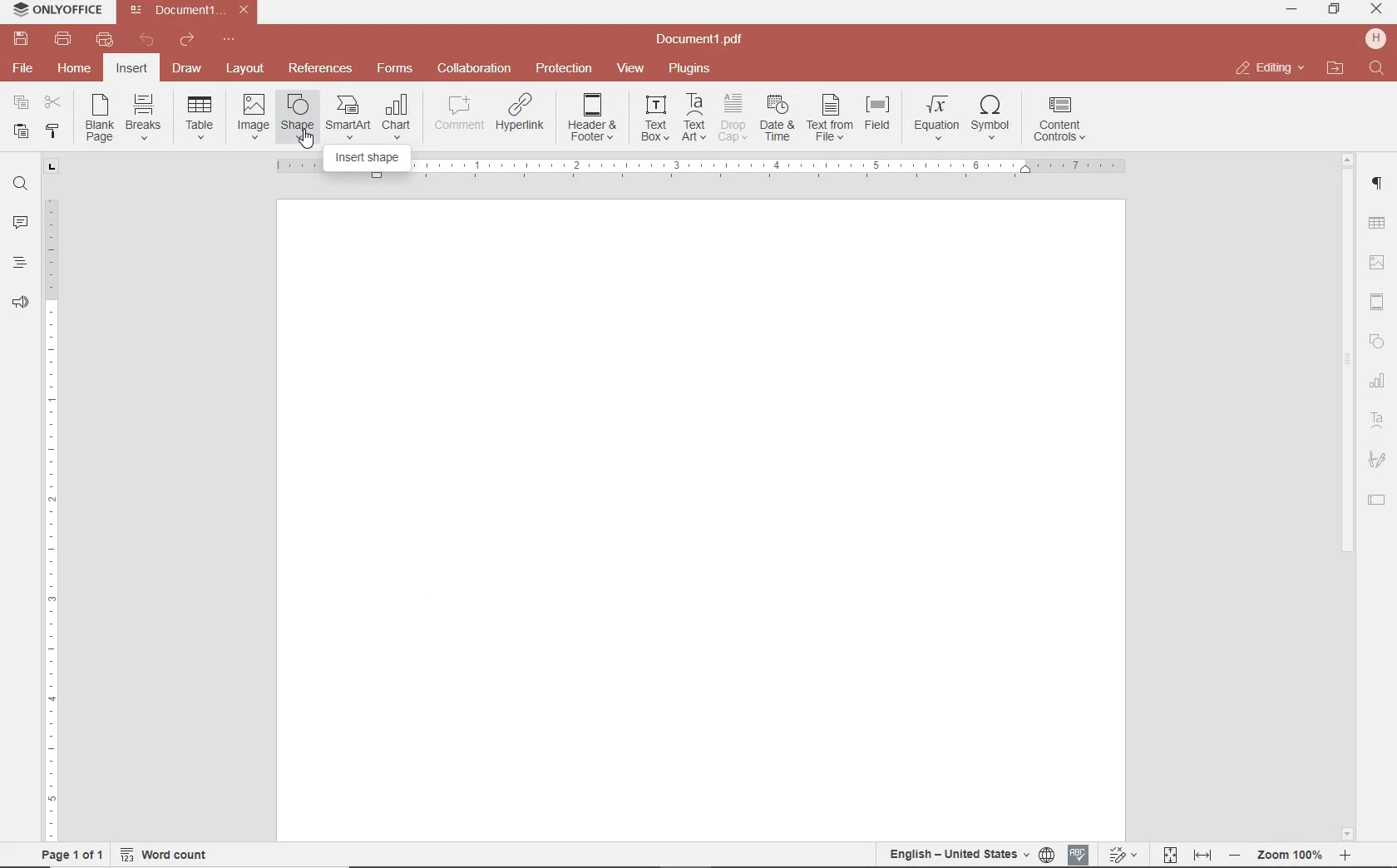 The width and height of the screenshot is (1397, 868). Describe the element at coordinates (20, 182) in the screenshot. I see `find` at that location.